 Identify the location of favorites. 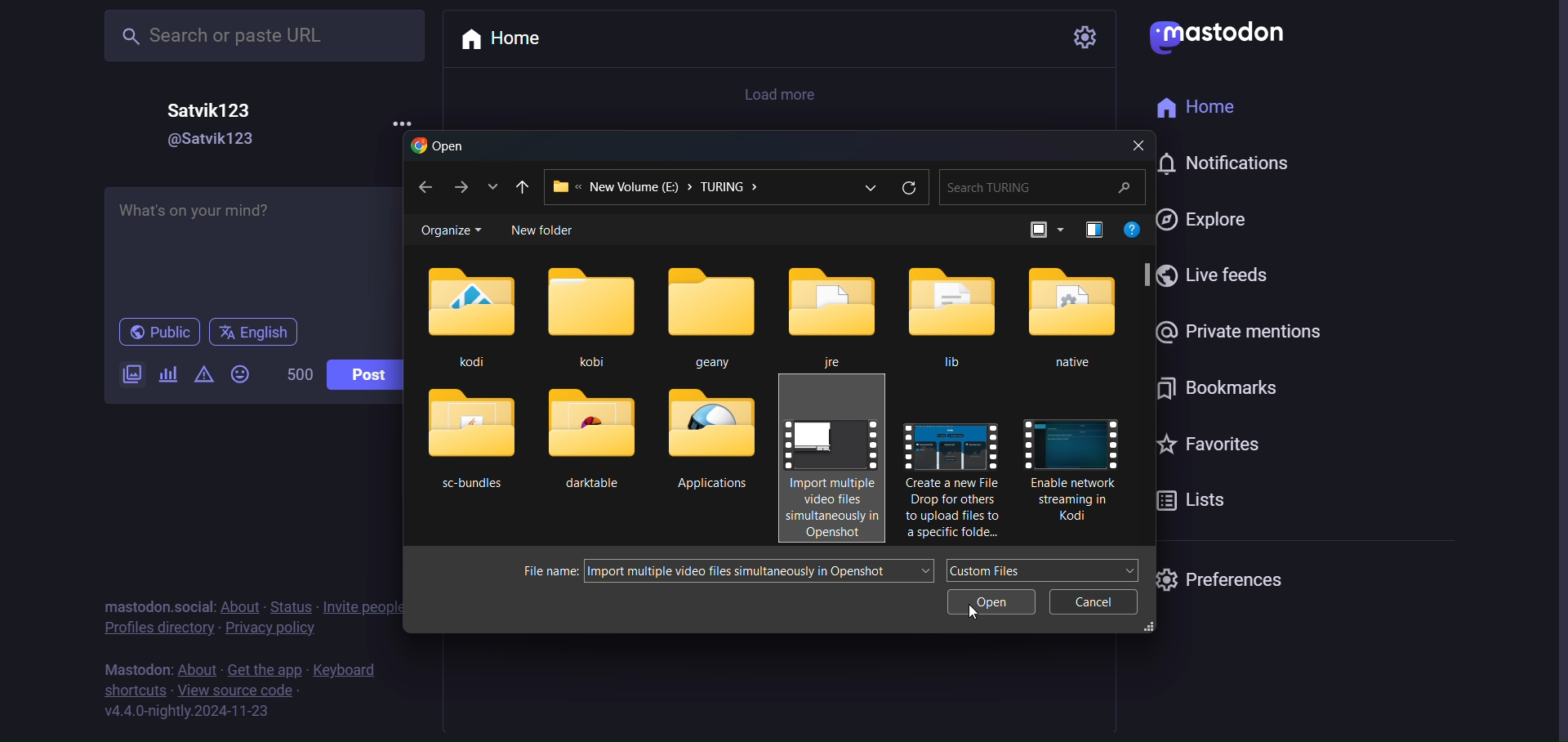
(1204, 444).